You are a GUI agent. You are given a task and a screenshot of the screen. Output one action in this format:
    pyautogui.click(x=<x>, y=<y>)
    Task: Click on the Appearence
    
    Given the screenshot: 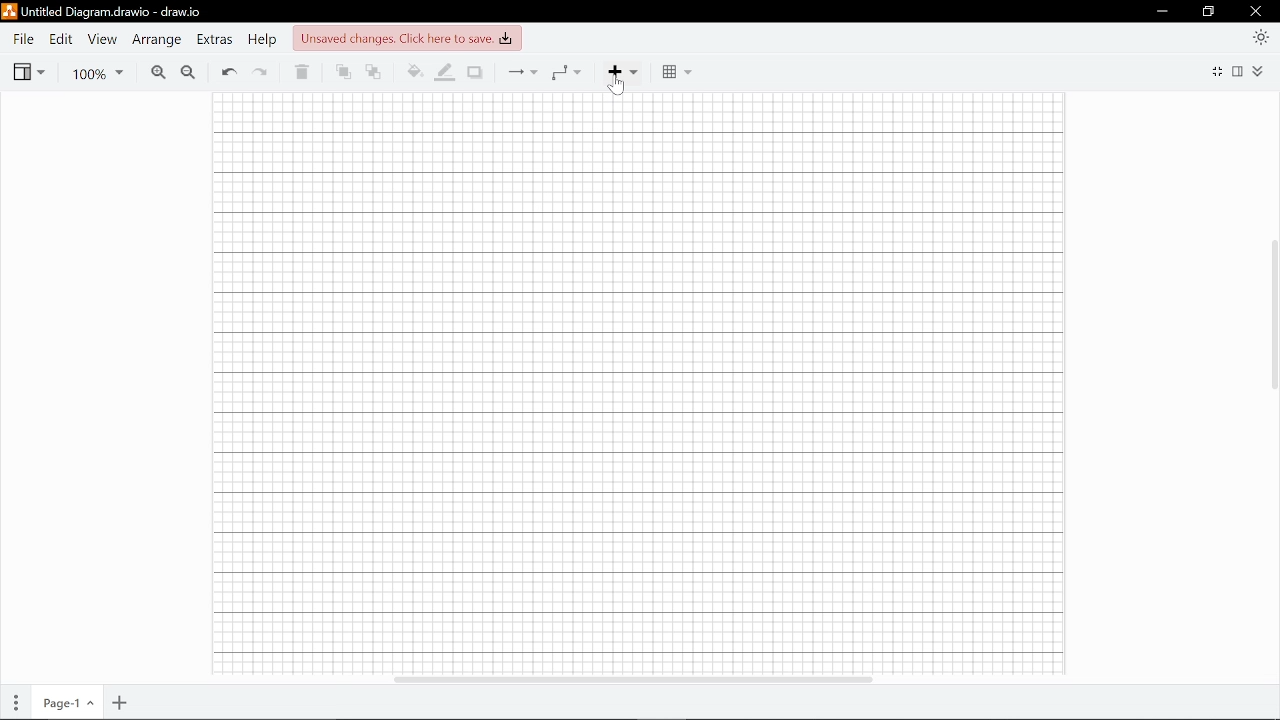 What is the action you would take?
    pyautogui.click(x=1262, y=37)
    